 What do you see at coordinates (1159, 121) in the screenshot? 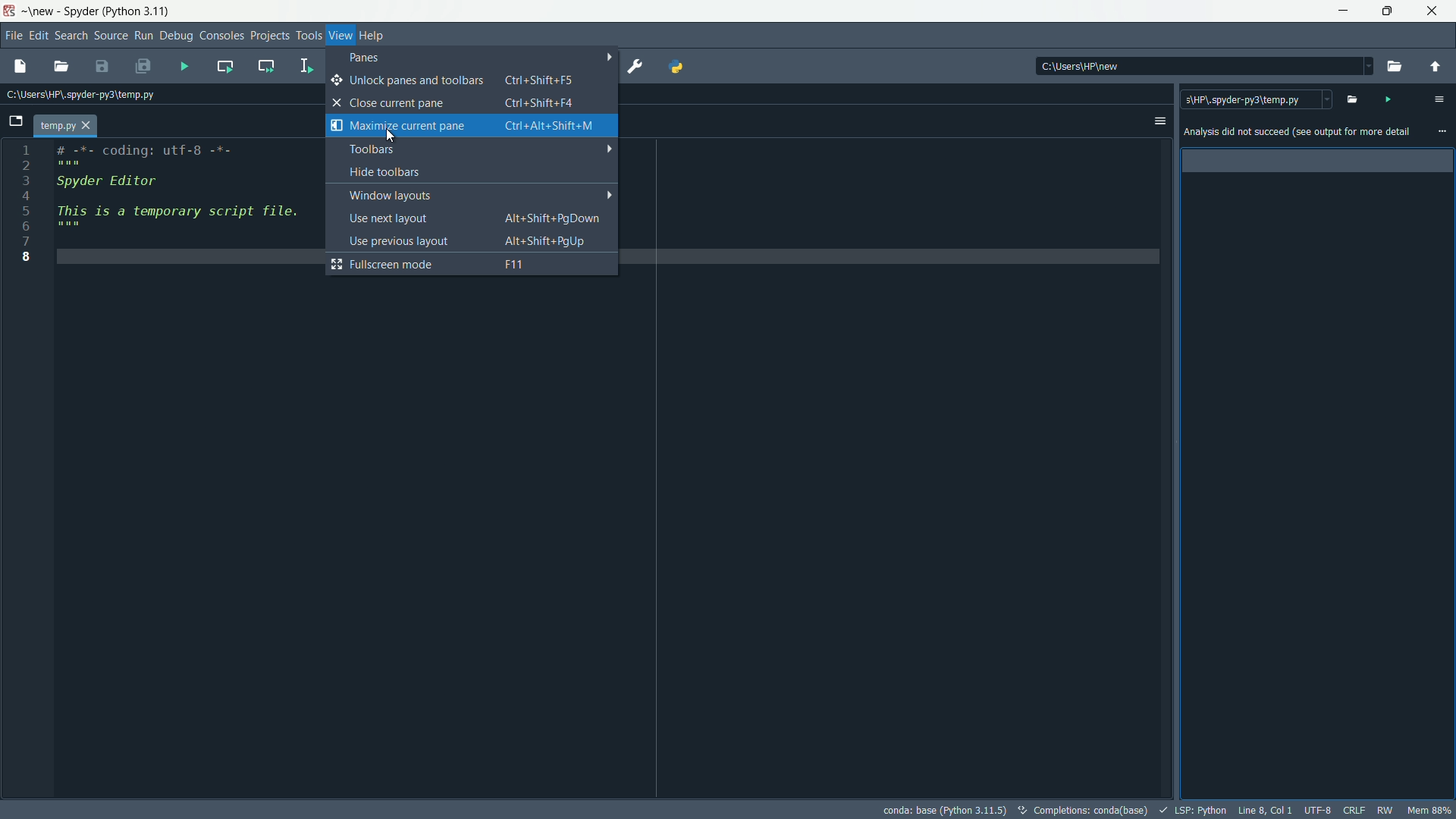
I see `options` at bounding box center [1159, 121].